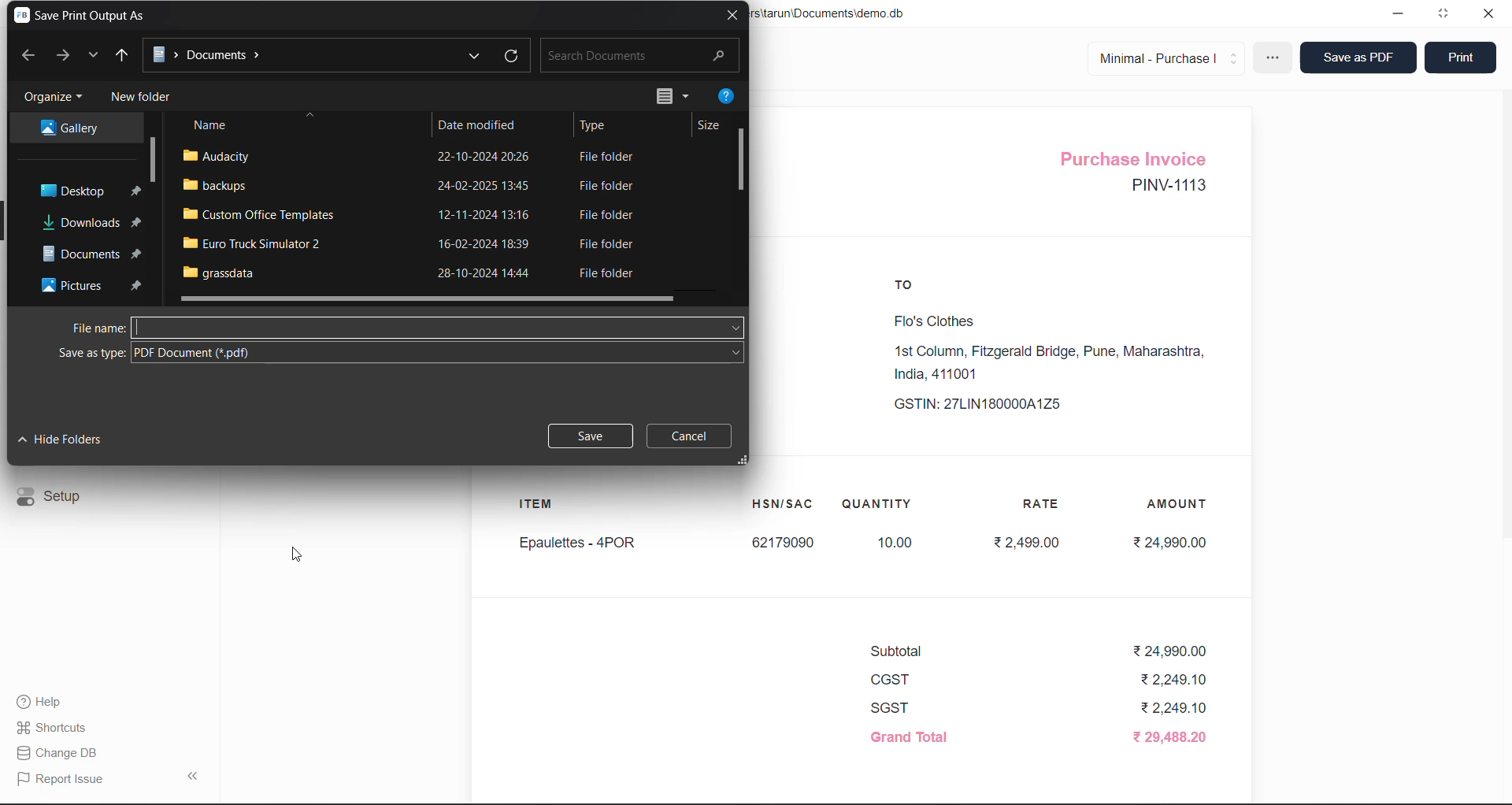 The image size is (1512, 805). What do you see at coordinates (1445, 13) in the screenshot?
I see `window mode` at bounding box center [1445, 13].